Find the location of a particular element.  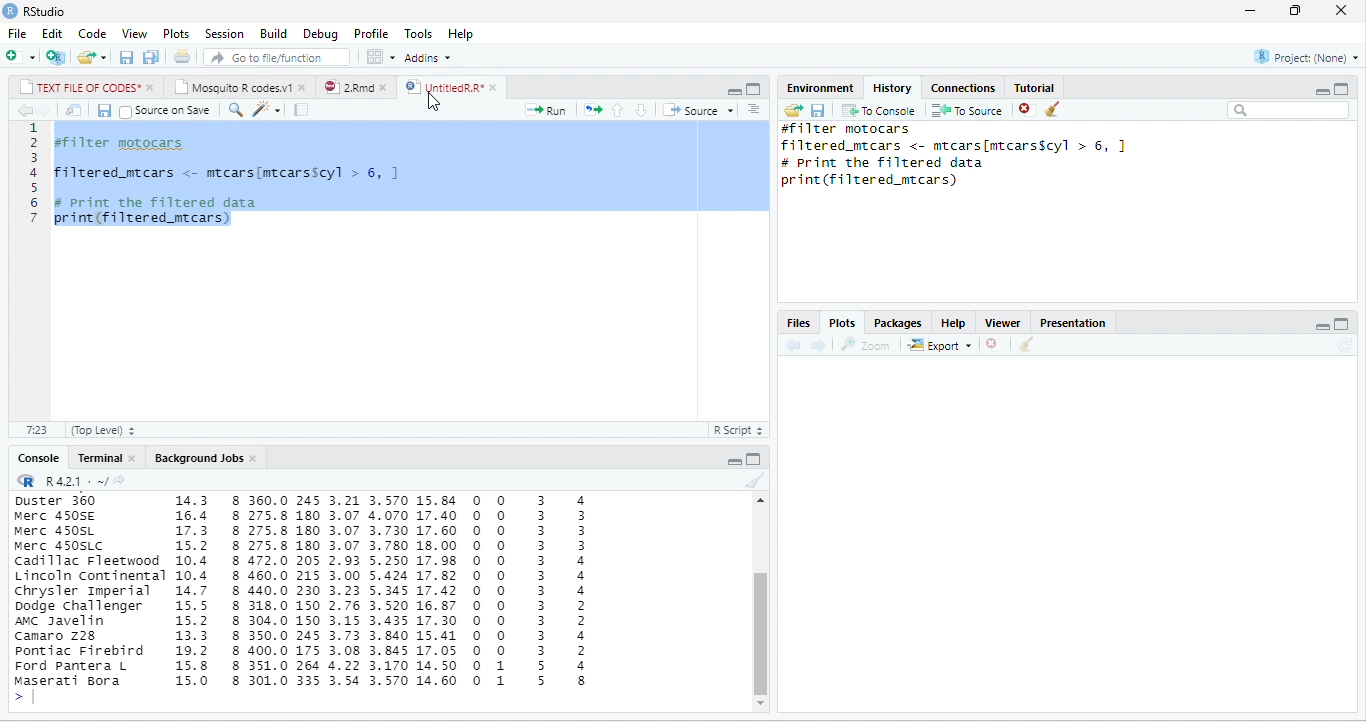

save is located at coordinates (104, 111).